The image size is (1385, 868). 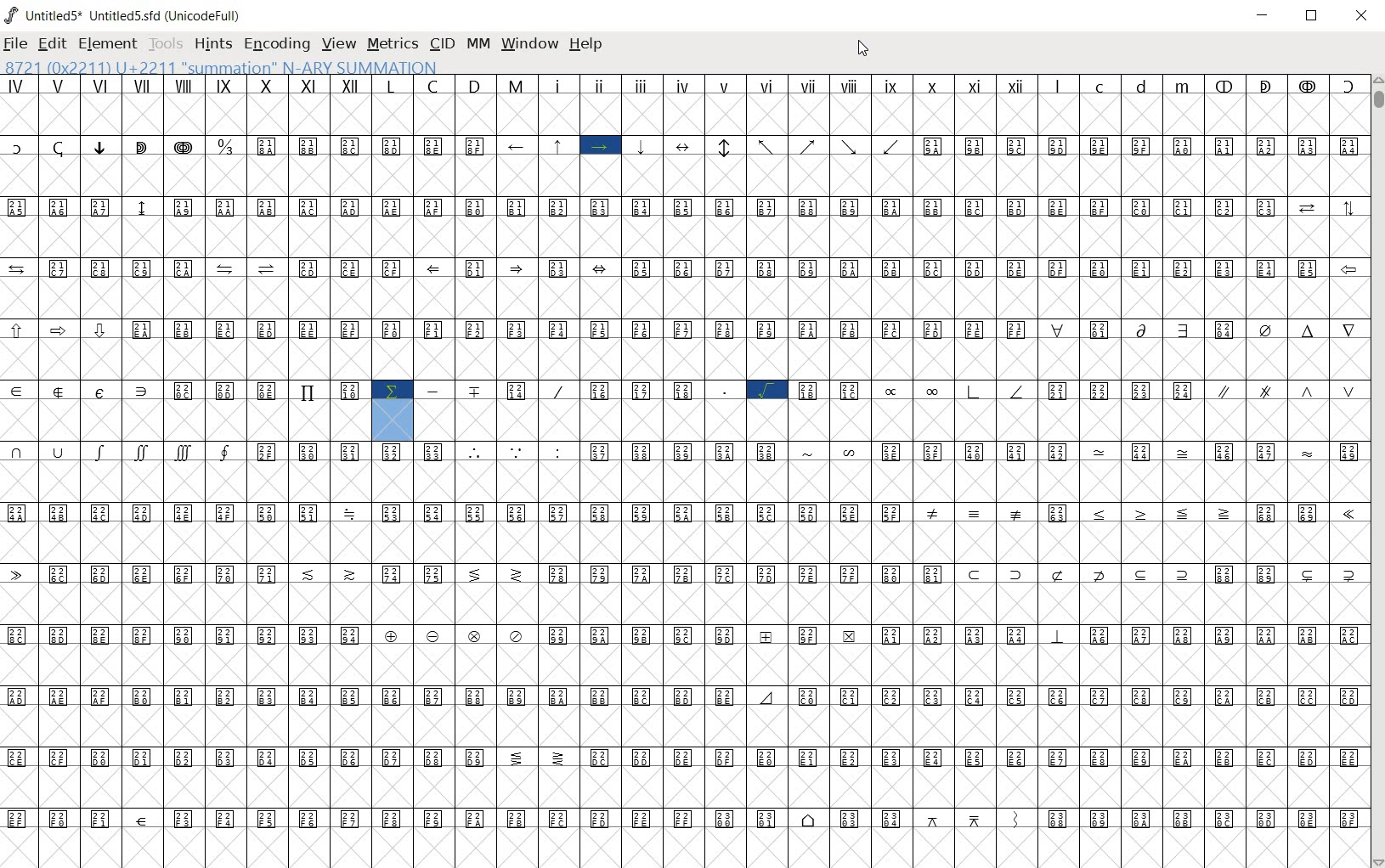 I want to click on HINTS, so click(x=212, y=45).